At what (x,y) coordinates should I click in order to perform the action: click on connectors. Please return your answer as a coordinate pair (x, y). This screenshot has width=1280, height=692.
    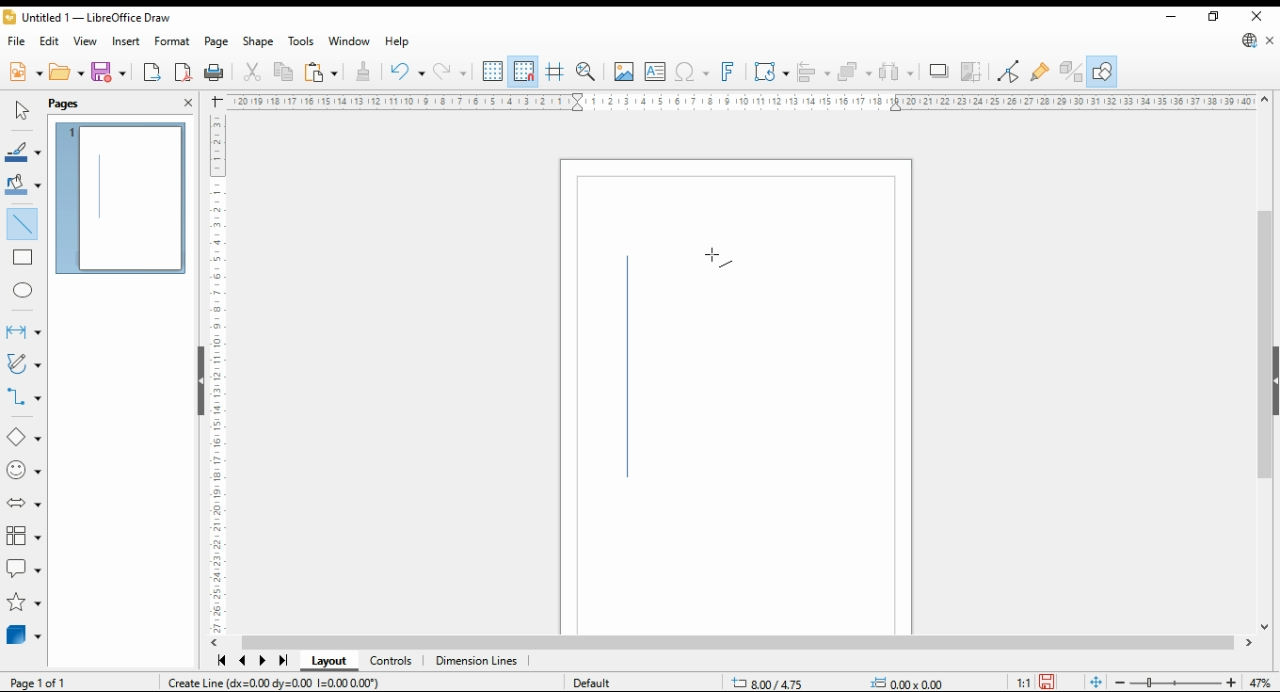
    Looking at the image, I should click on (24, 397).